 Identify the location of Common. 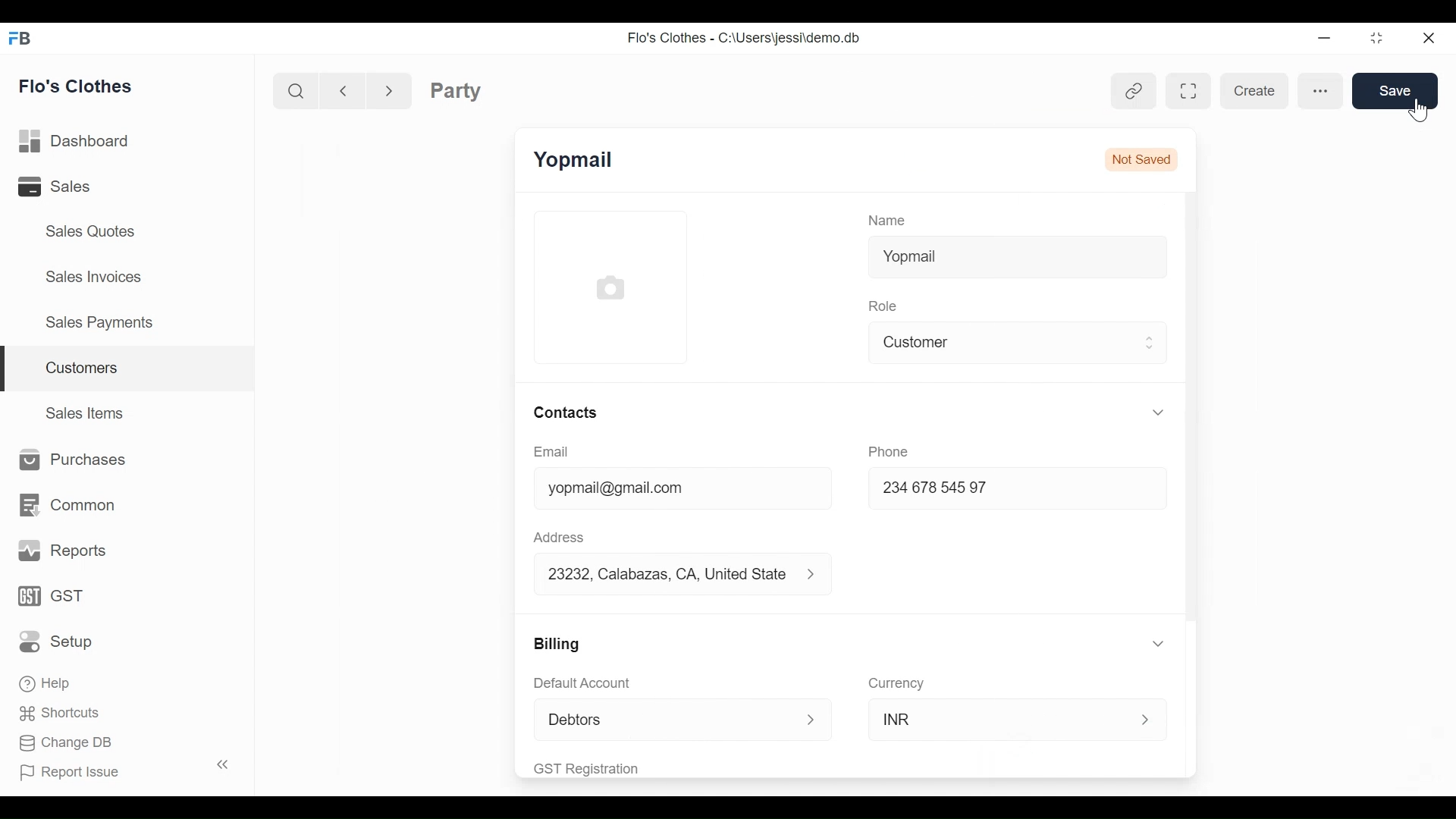
(65, 505).